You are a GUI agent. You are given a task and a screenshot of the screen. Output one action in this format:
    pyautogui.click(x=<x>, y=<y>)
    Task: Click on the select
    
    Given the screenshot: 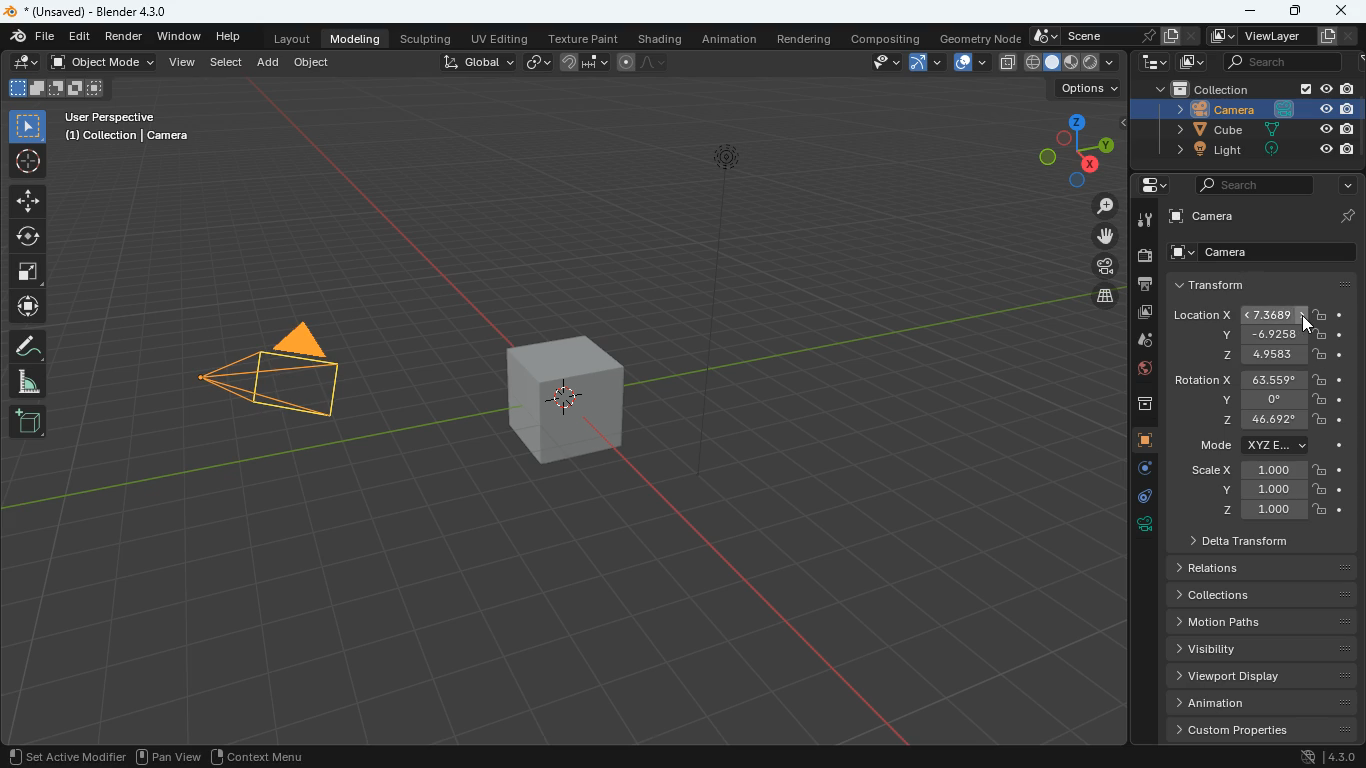 What is the action you would take?
    pyautogui.click(x=27, y=126)
    